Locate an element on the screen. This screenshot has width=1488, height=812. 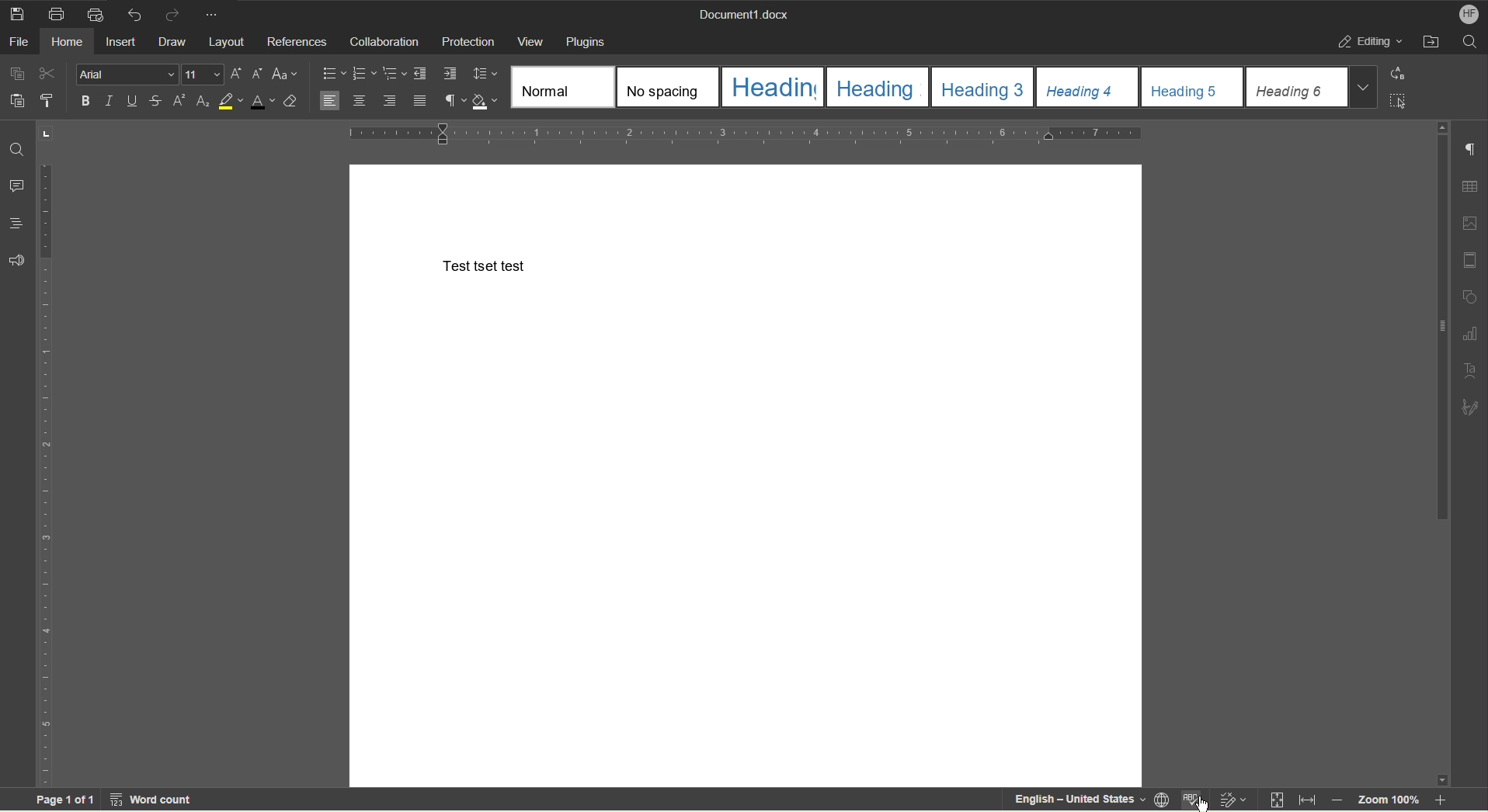
Vertical Ruler is located at coordinates (44, 473).